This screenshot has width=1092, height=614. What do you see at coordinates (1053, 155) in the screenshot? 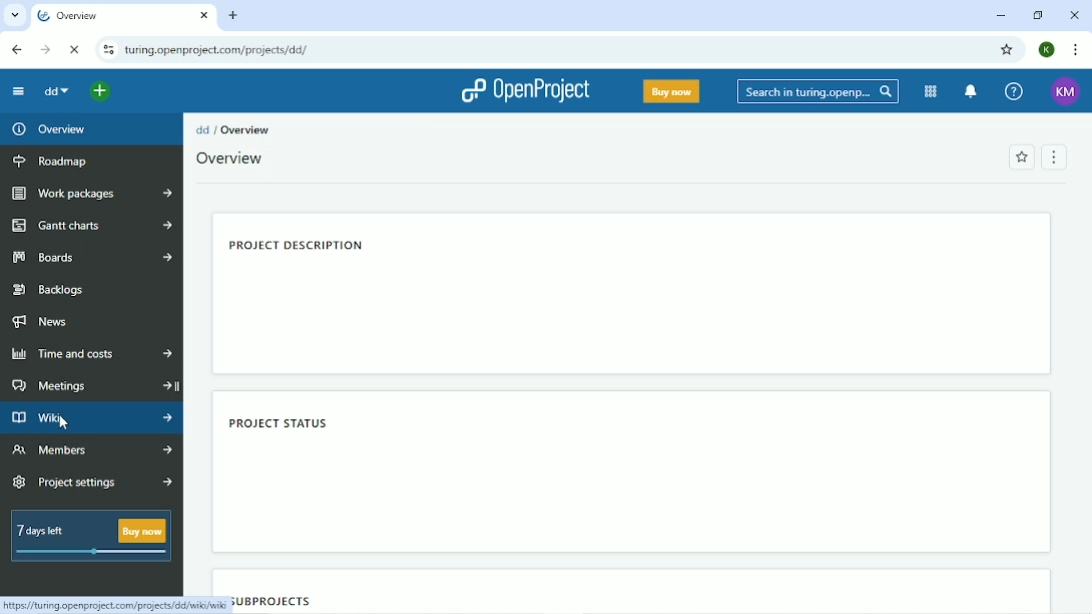
I see `Menu` at bounding box center [1053, 155].